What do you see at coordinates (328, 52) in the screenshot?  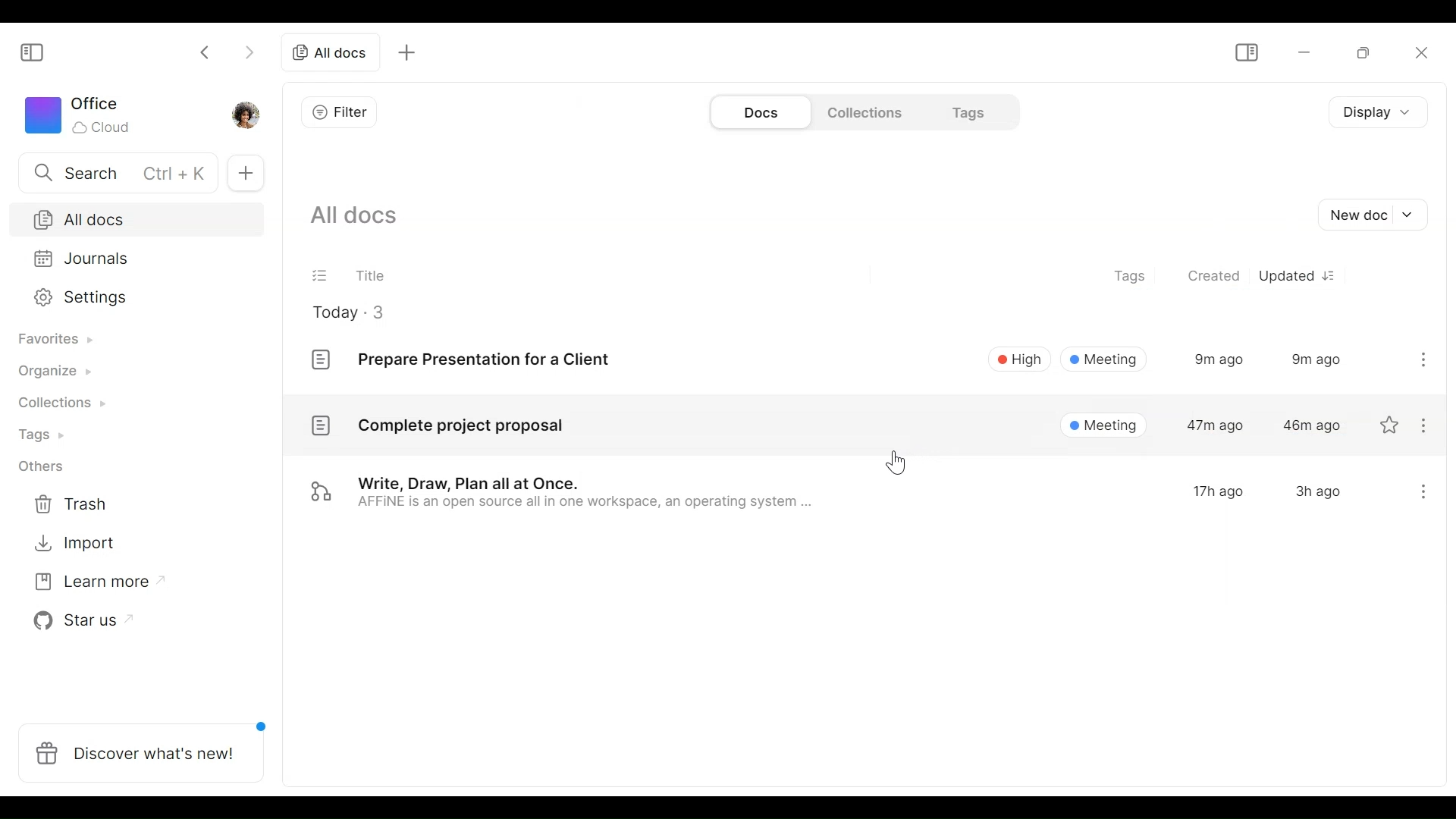 I see `All documents` at bounding box center [328, 52].